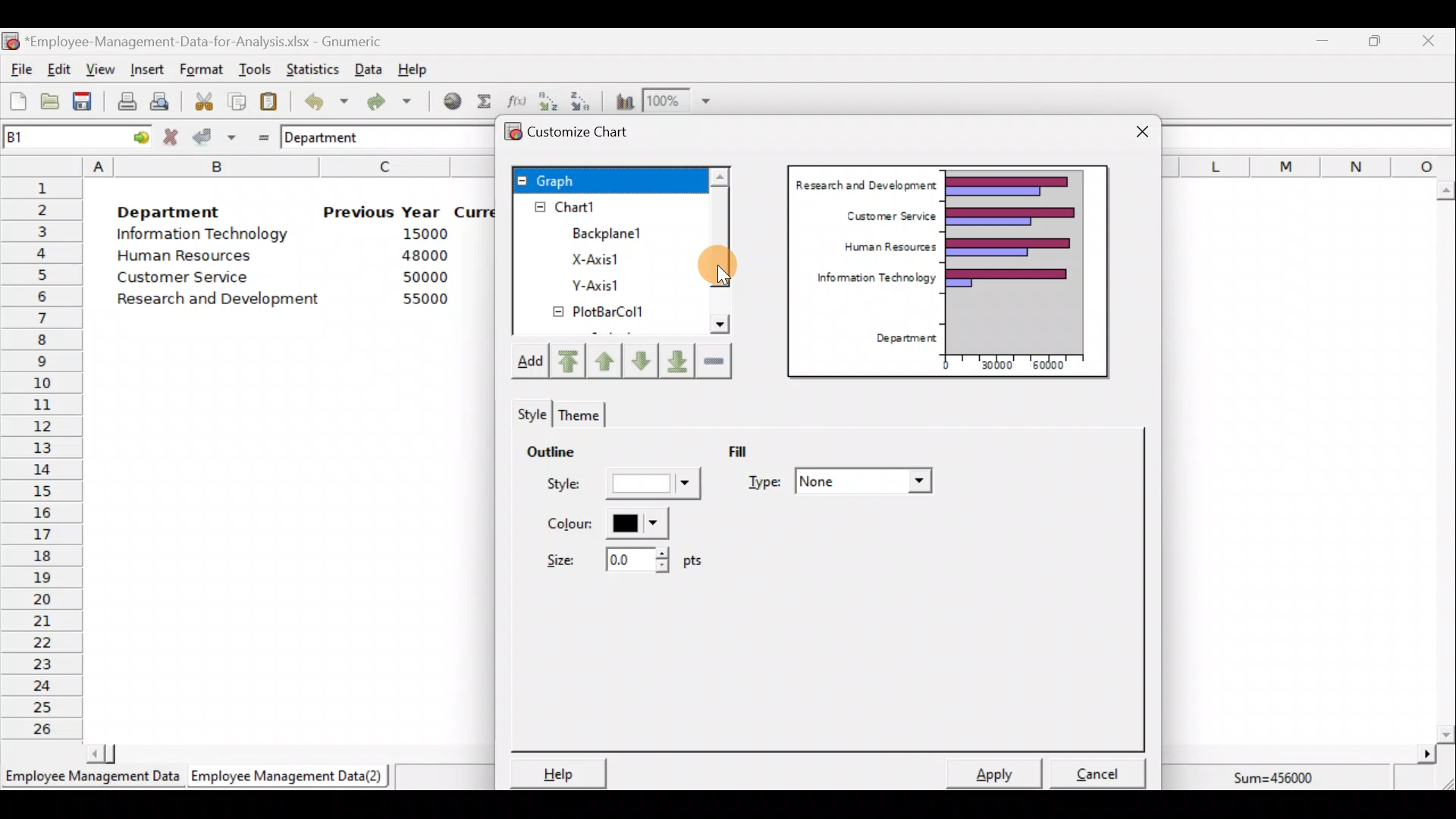 Image resolution: width=1456 pixels, height=819 pixels. What do you see at coordinates (369, 69) in the screenshot?
I see `Data` at bounding box center [369, 69].